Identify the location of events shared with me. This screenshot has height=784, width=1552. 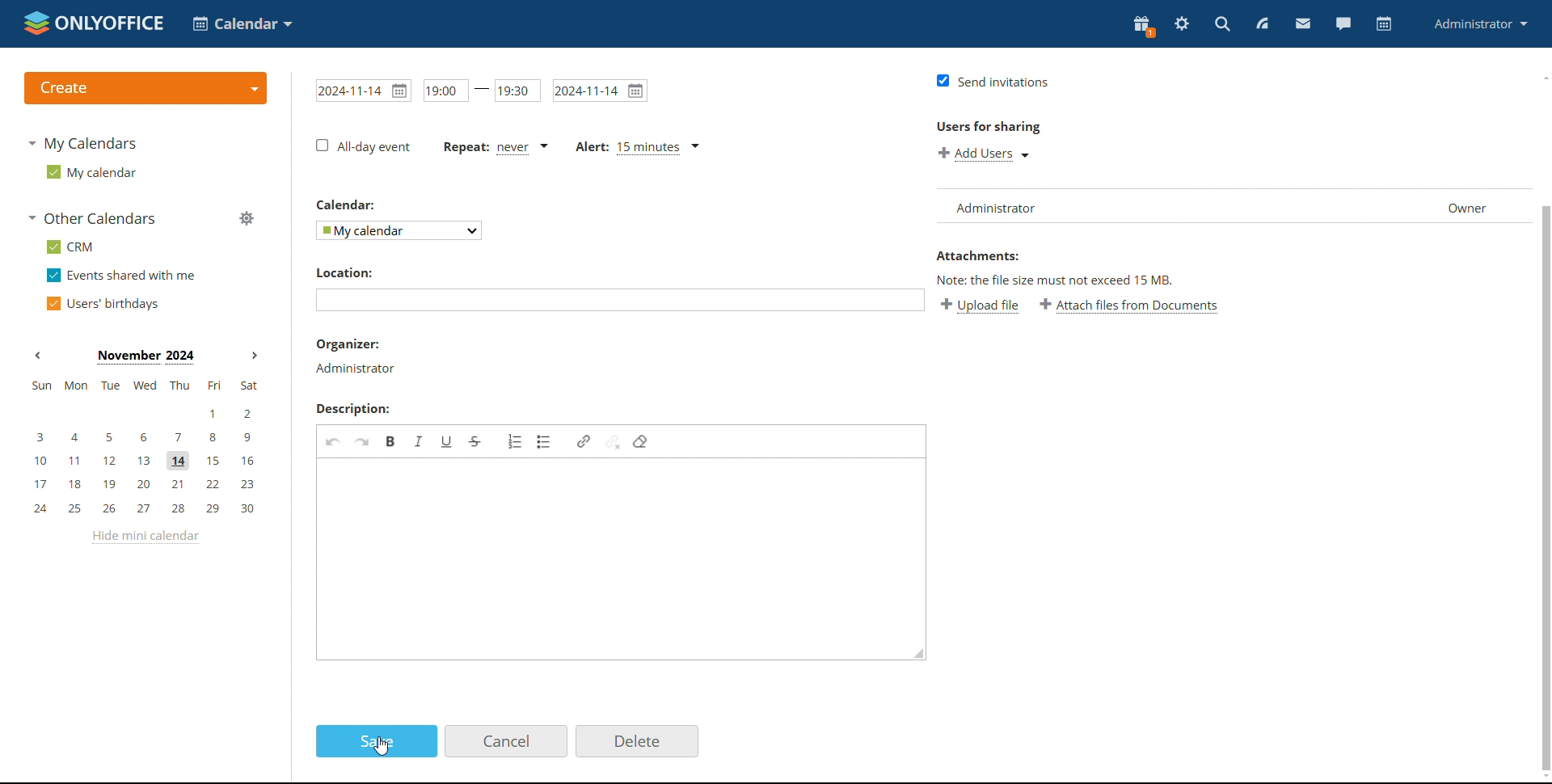
(123, 276).